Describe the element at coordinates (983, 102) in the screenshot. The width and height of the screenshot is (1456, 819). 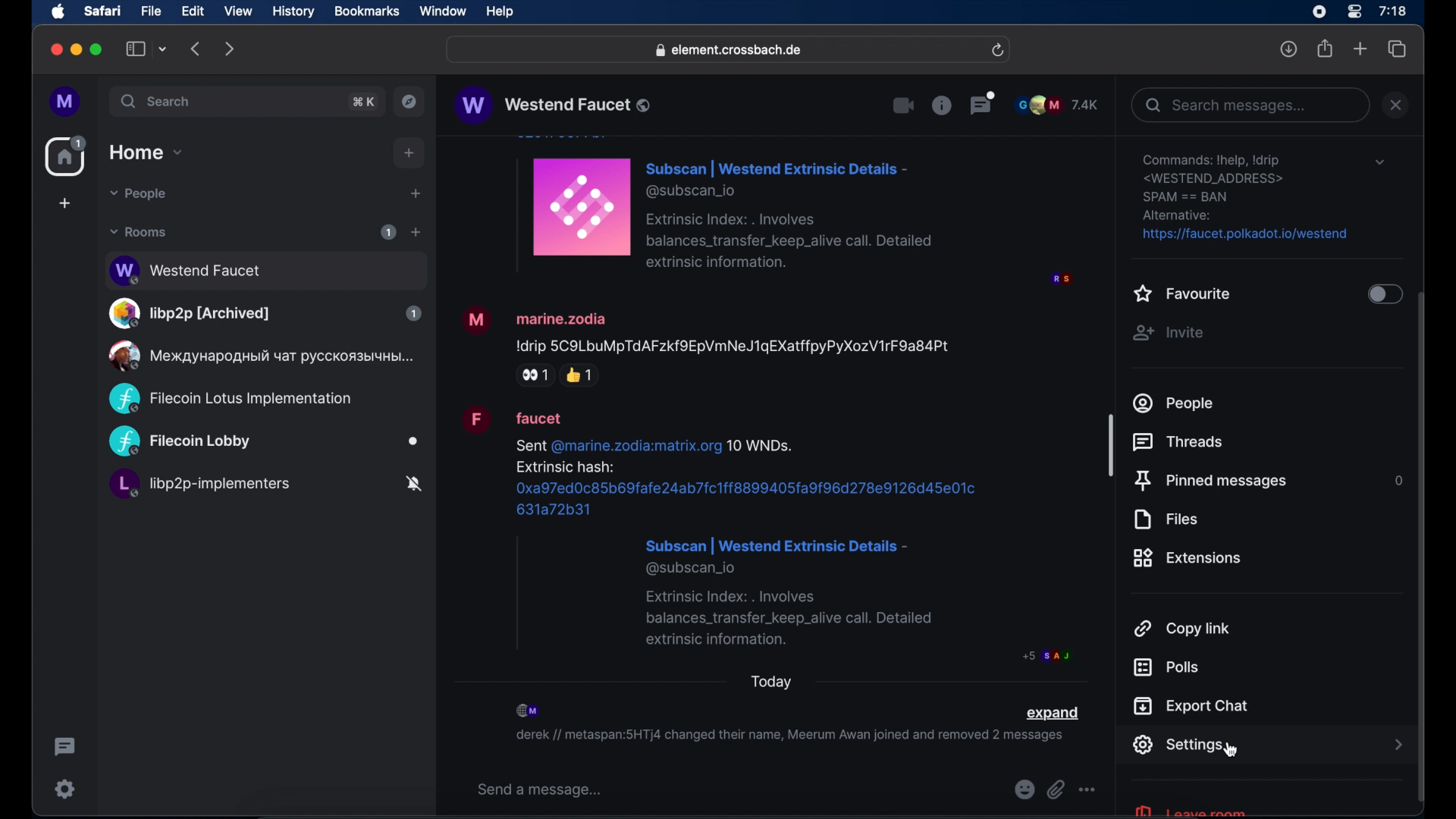
I see `threads` at that location.